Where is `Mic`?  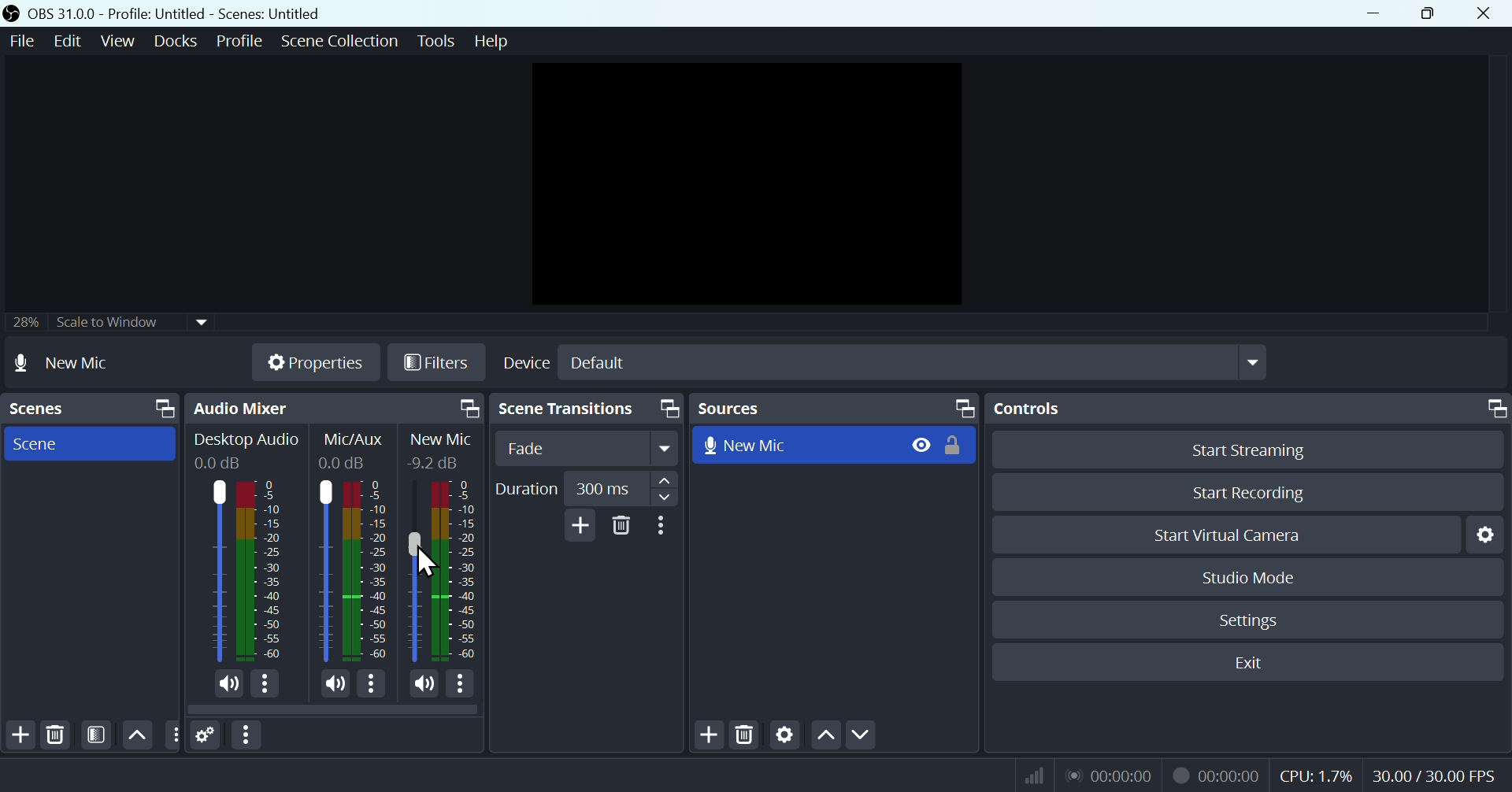 Mic is located at coordinates (461, 571).